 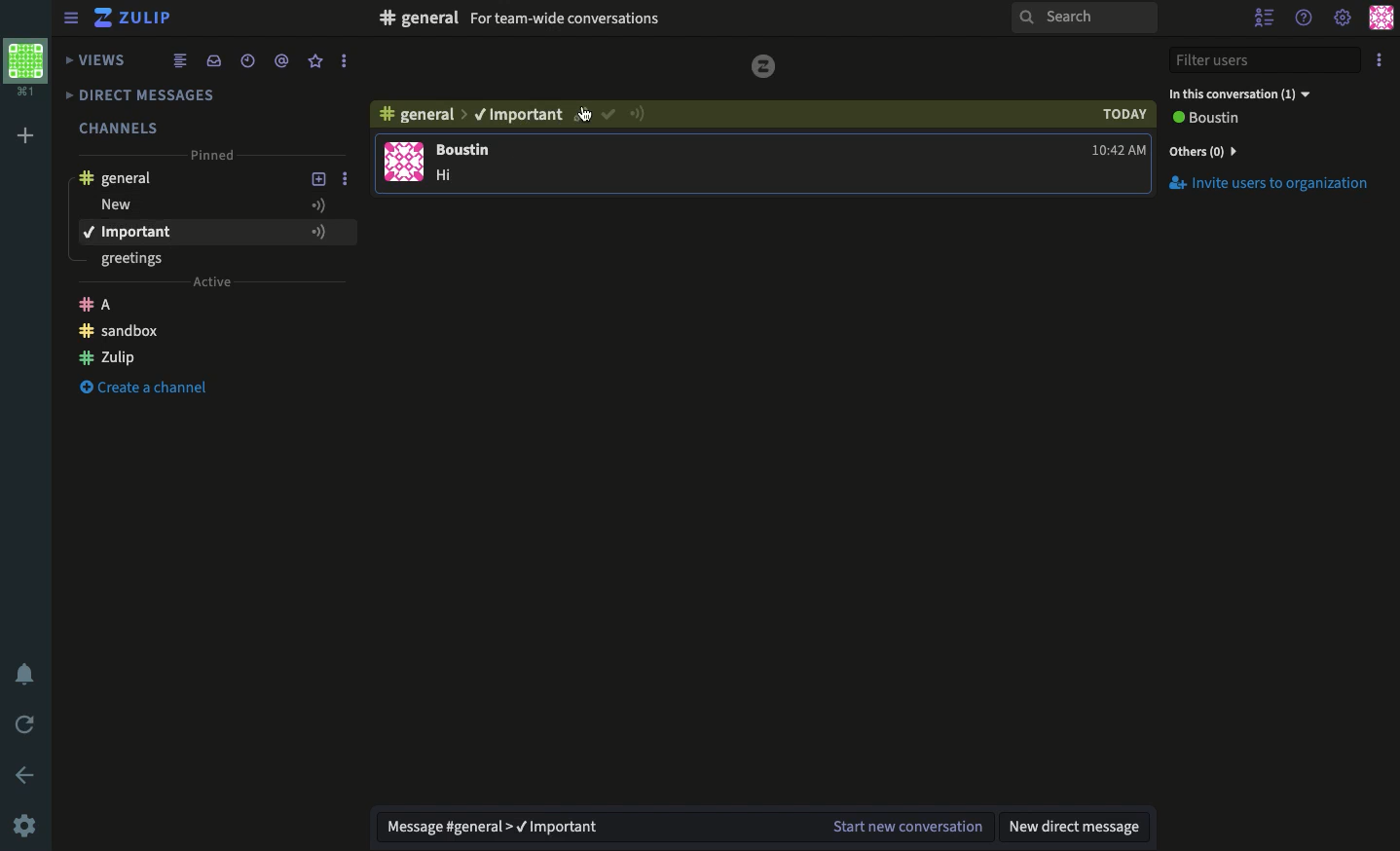 I want to click on Refresh, so click(x=27, y=724).